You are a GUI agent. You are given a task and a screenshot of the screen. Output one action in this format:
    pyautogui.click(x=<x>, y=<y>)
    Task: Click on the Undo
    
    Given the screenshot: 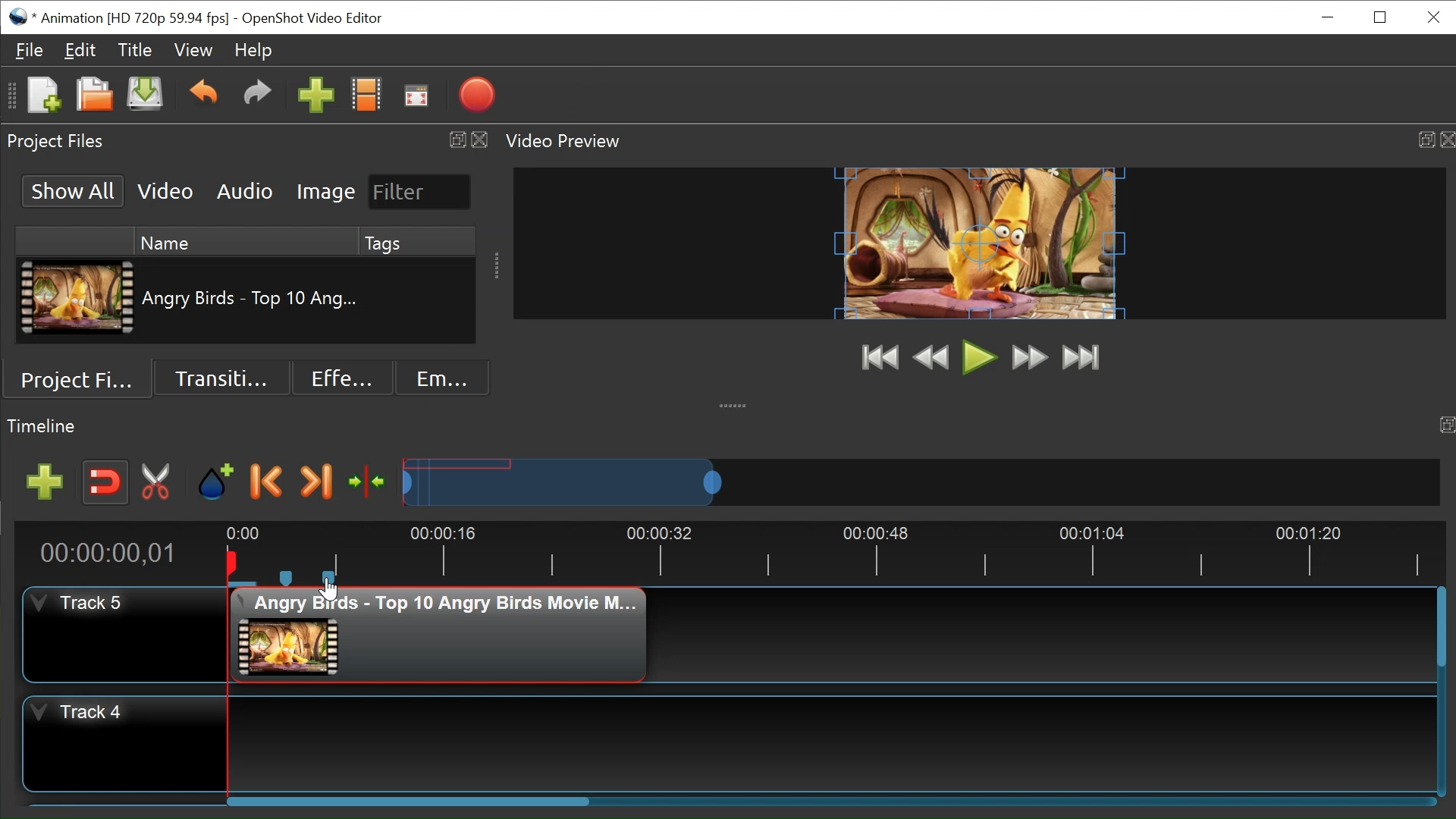 What is the action you would take?
    pyautogui.click(x=206, y=98)
    